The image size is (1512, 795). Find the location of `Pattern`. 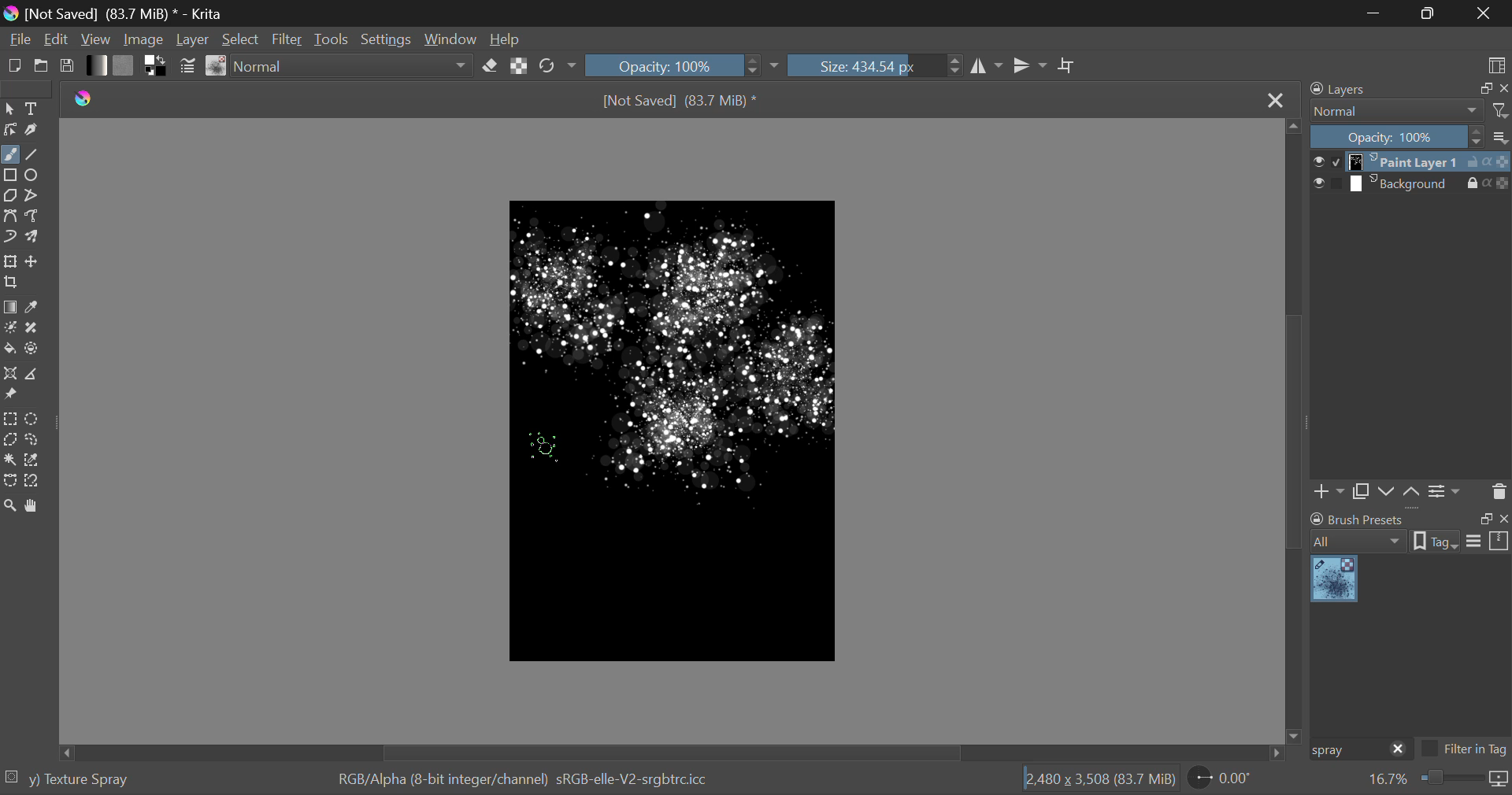

Pattern is located at coordinates (124, 65).